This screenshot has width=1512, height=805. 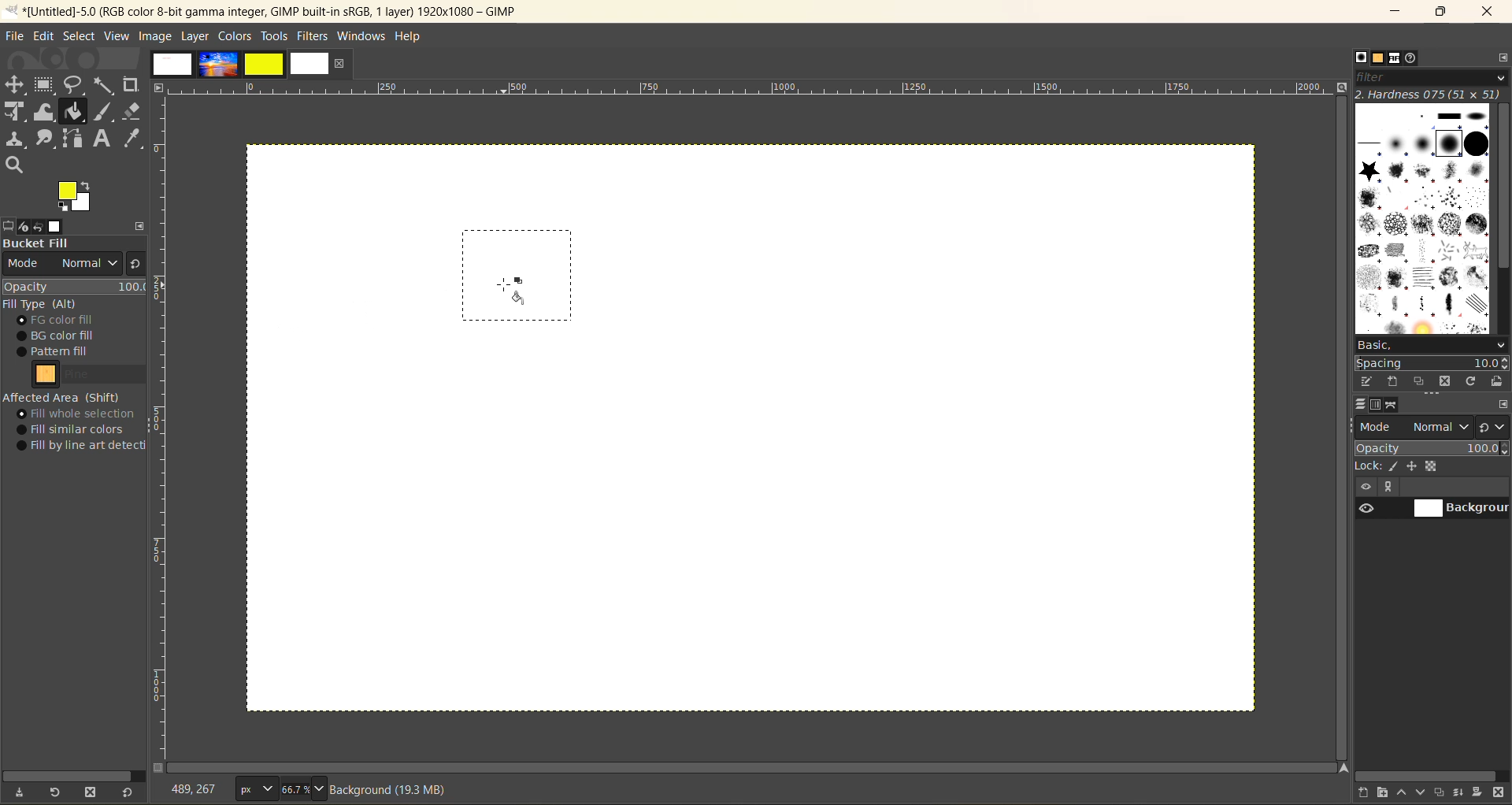 What do you see at coordinates (396, 789) in the screenshot?
I see `metadata` at bounding box center [396, 789].